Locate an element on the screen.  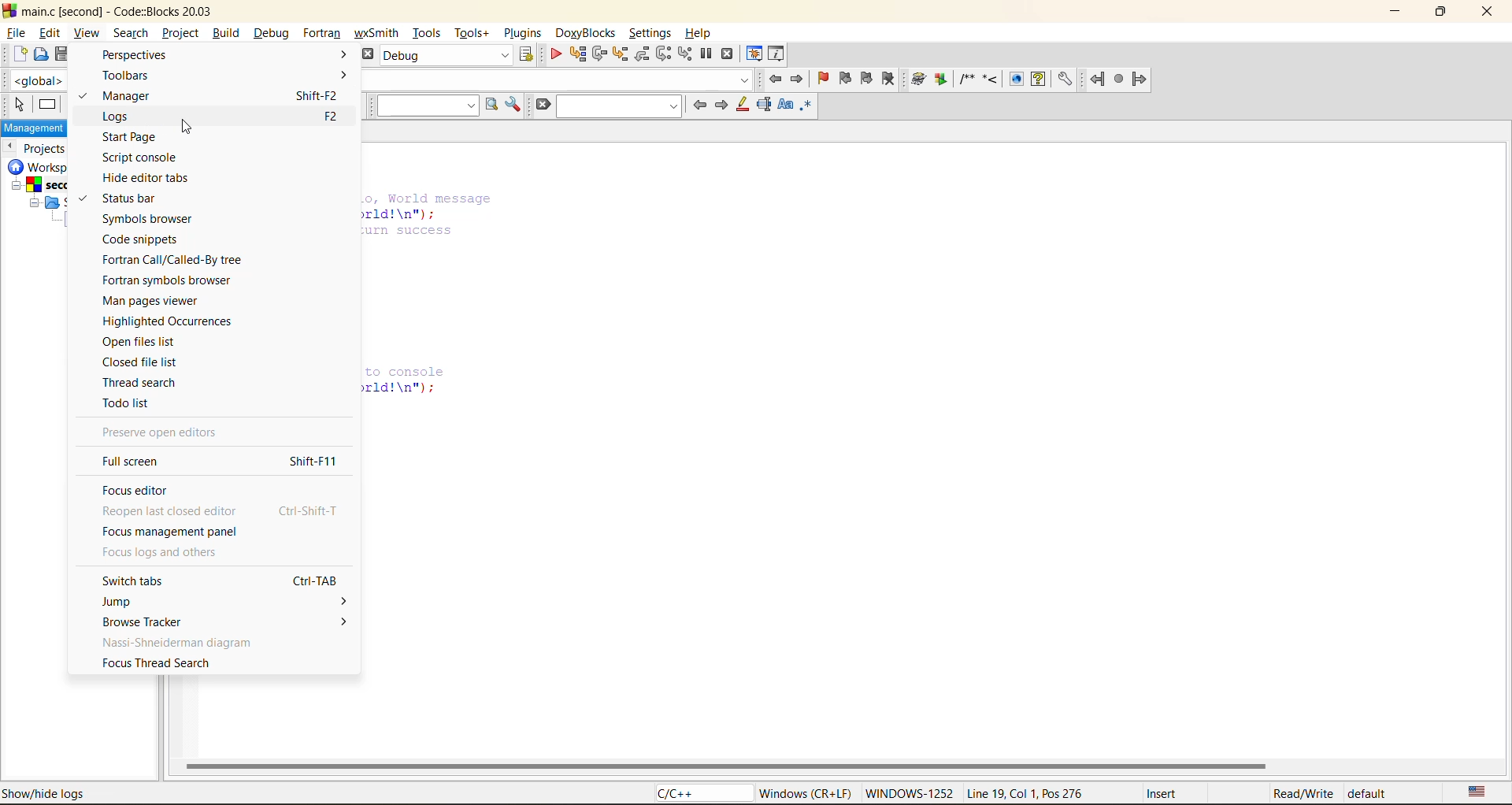
new is located at coordinates (15, 57).